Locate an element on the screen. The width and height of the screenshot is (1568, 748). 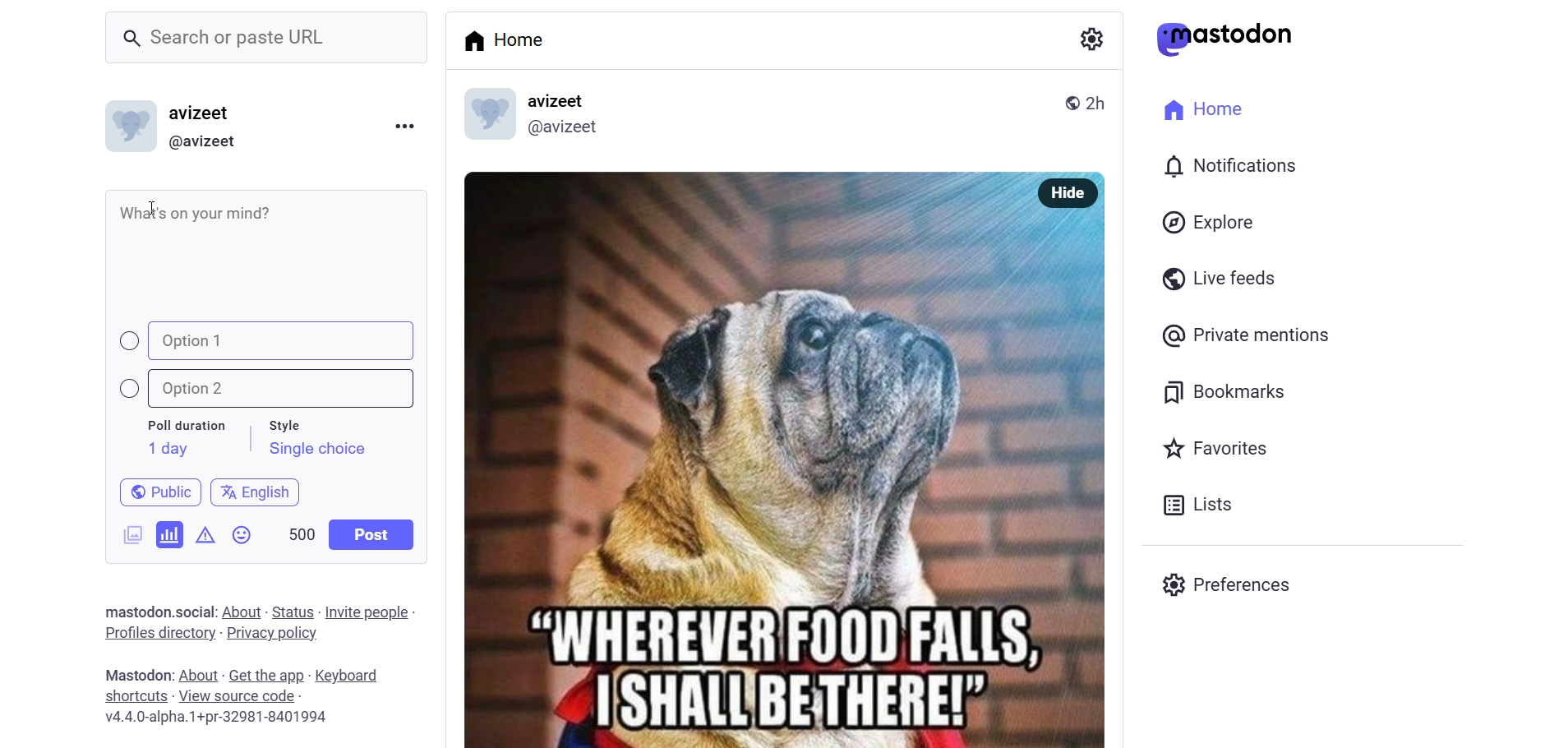
setting is located at coordinates (1089, 38).